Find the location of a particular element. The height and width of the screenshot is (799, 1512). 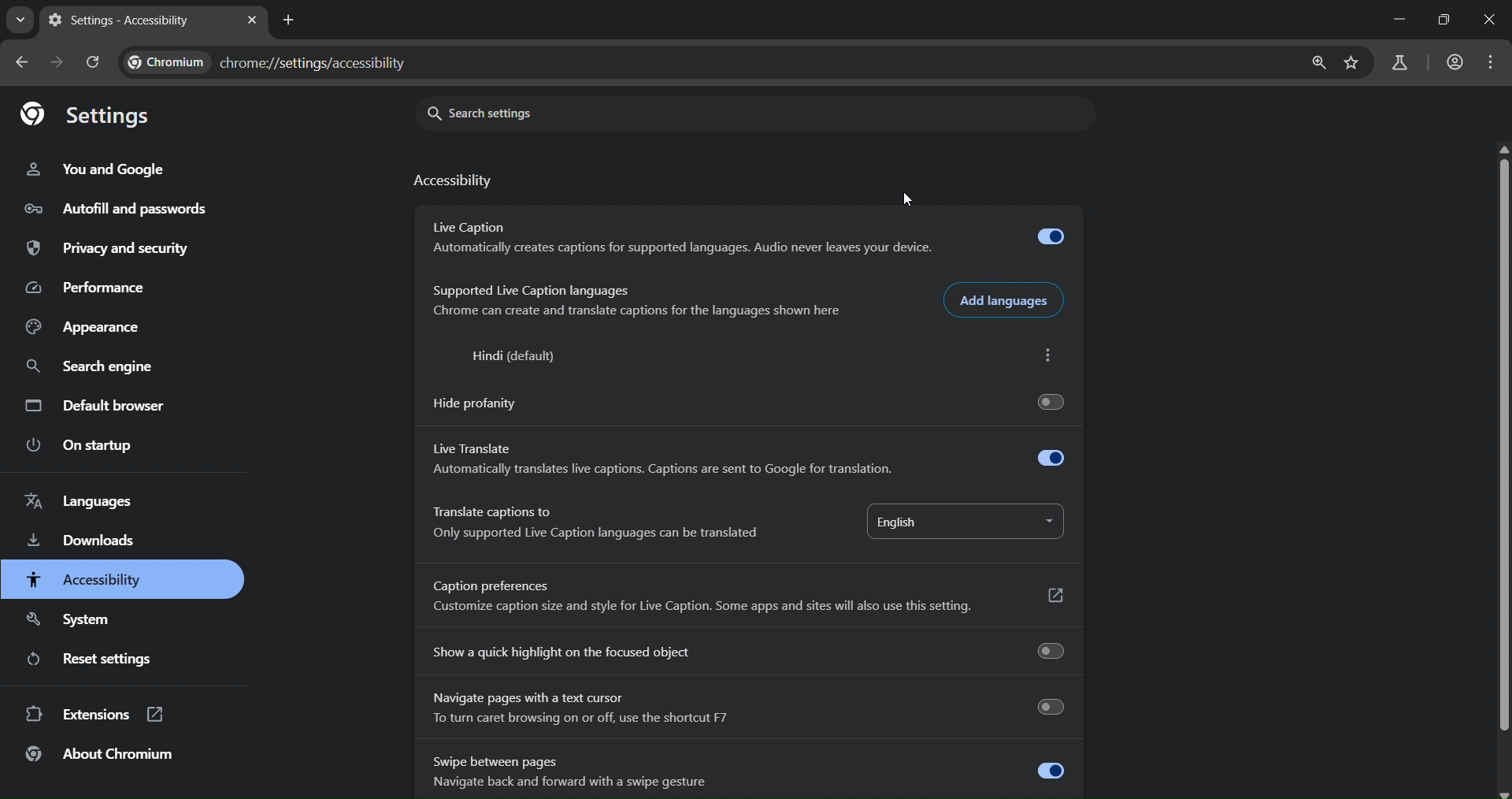

add languages is located at coordinates (1002, 299).